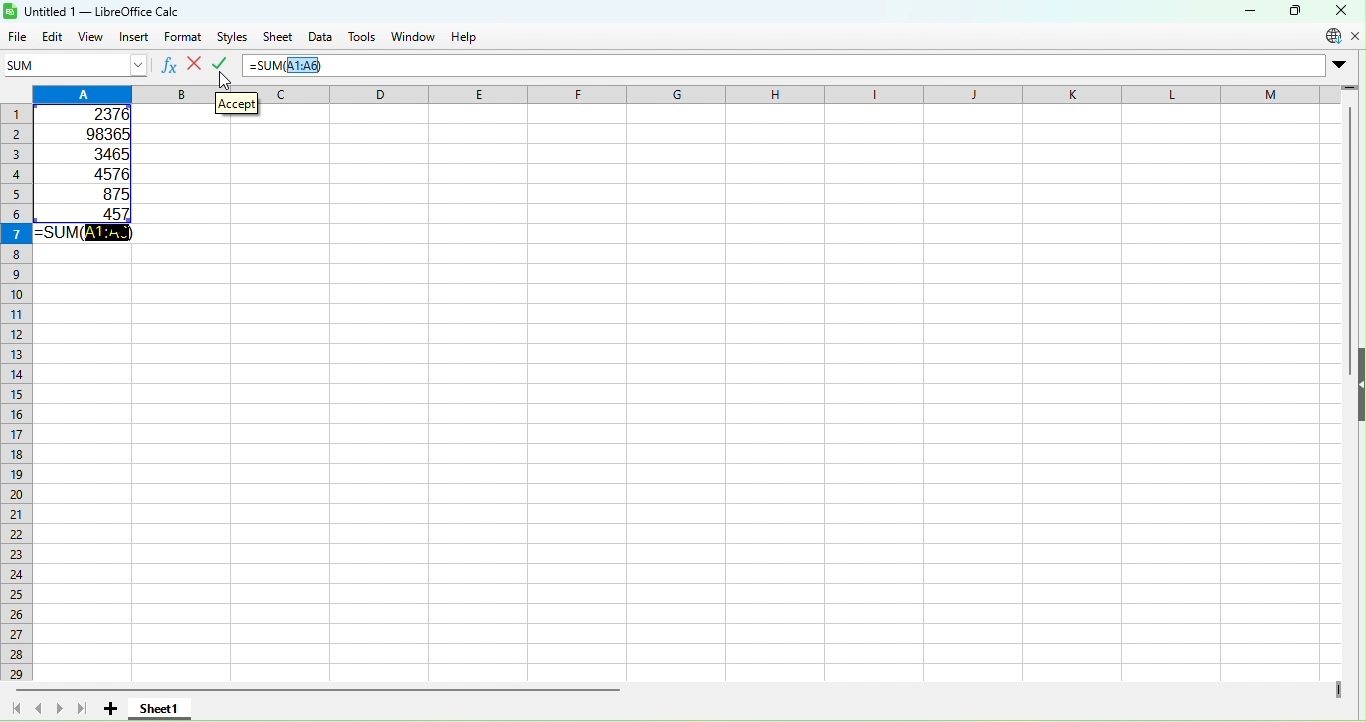  I want to click on Update information, so click(1332, 37).